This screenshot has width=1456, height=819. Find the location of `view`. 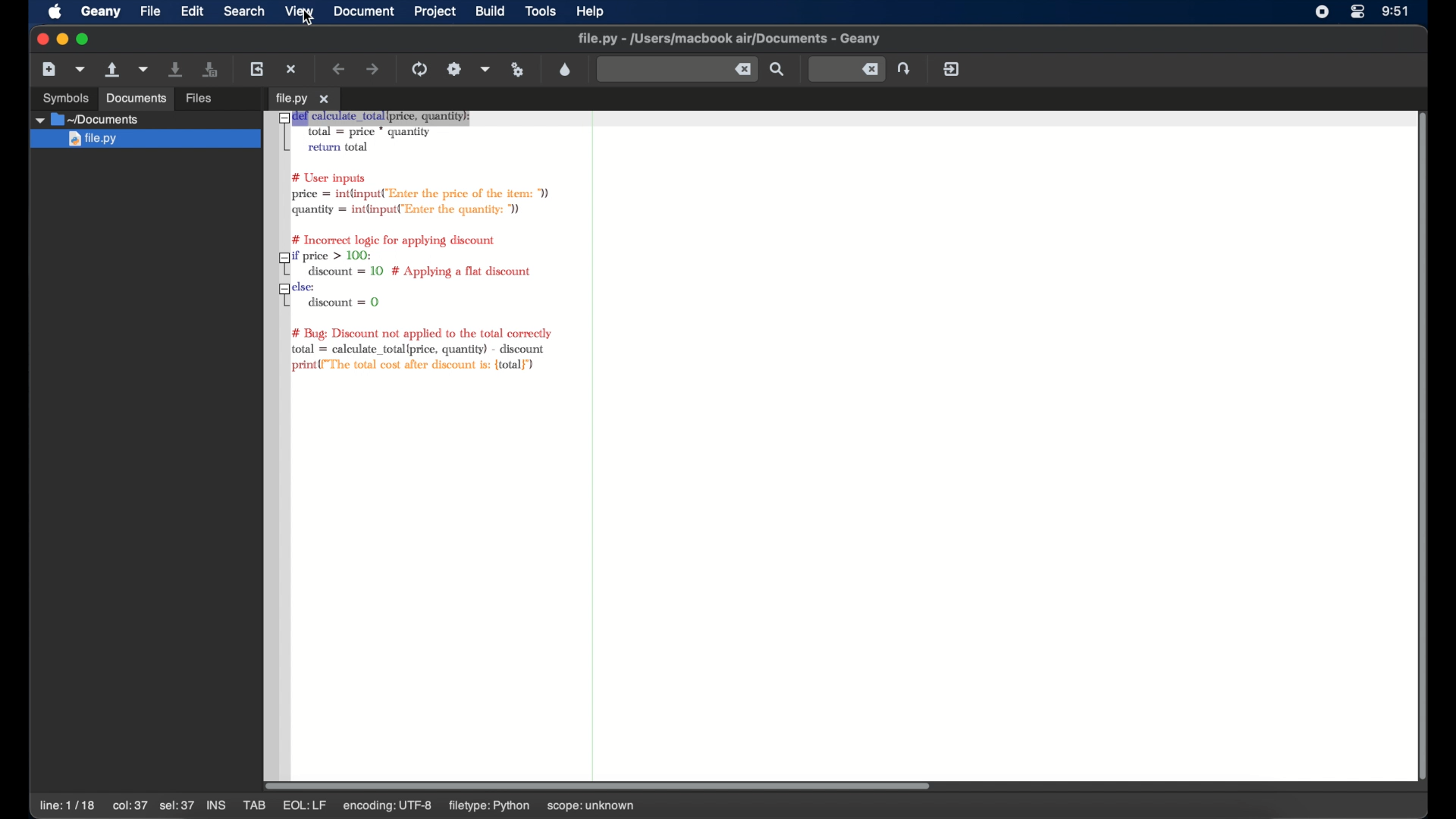

view is located at coordinates (299, 11).